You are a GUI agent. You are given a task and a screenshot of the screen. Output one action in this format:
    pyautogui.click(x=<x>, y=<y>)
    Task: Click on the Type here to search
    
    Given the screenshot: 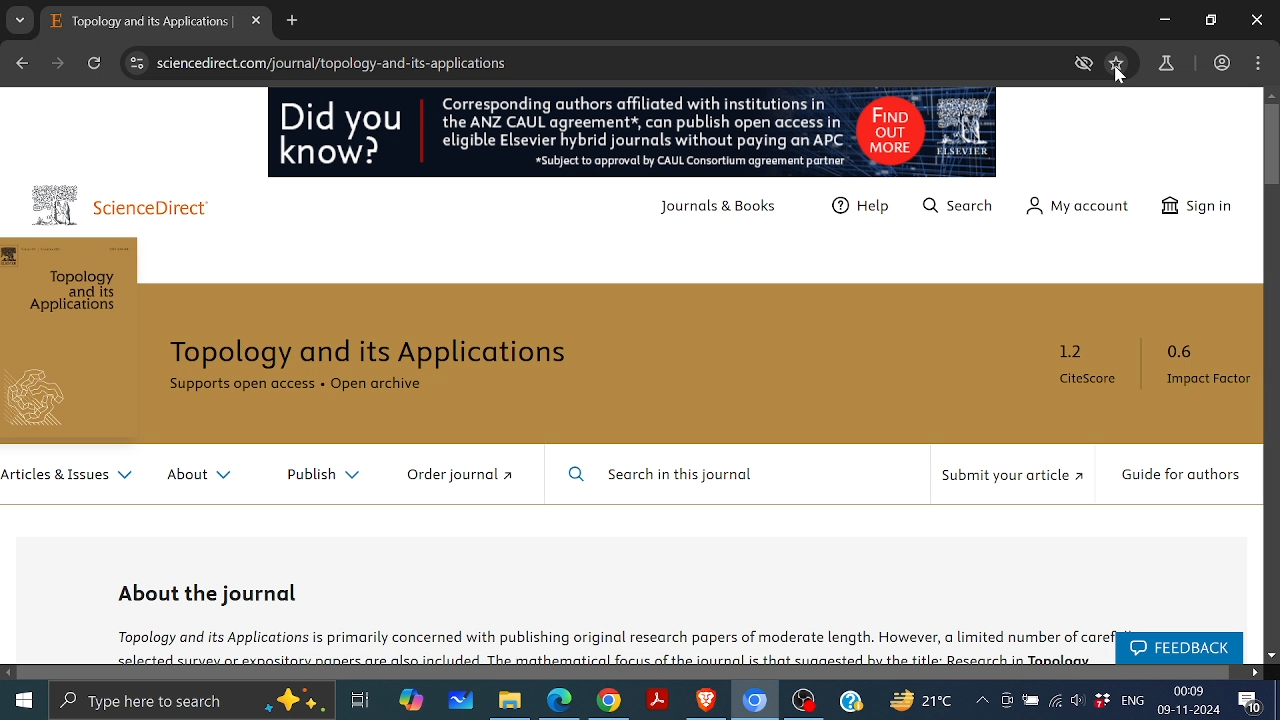 What is the action you would take?
    pyautogui.click(x=185, y=700)
    